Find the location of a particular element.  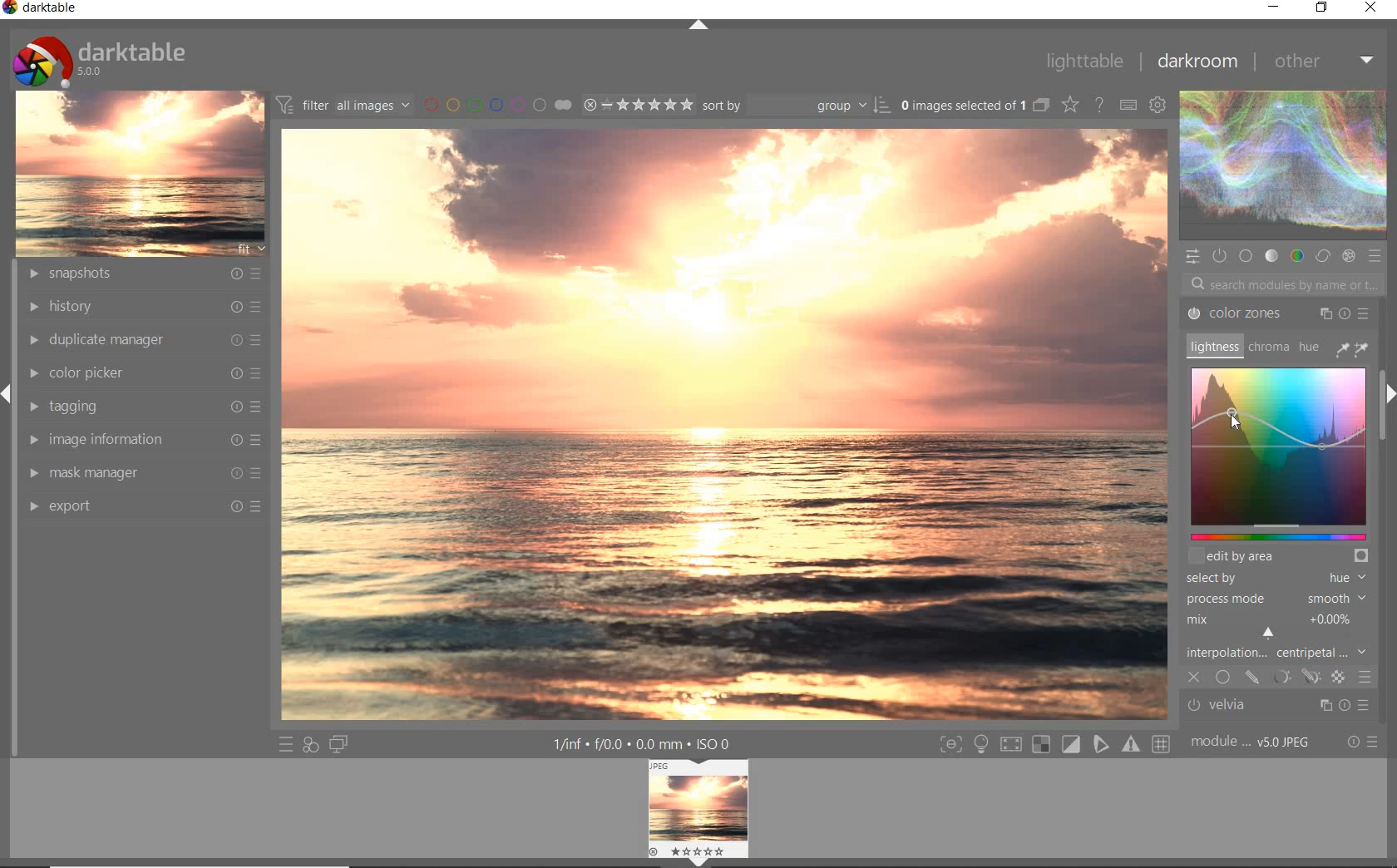

DISPLAY A SECOND DARKROOM IMAGE WINDOW is located at coordinates (338, 746).